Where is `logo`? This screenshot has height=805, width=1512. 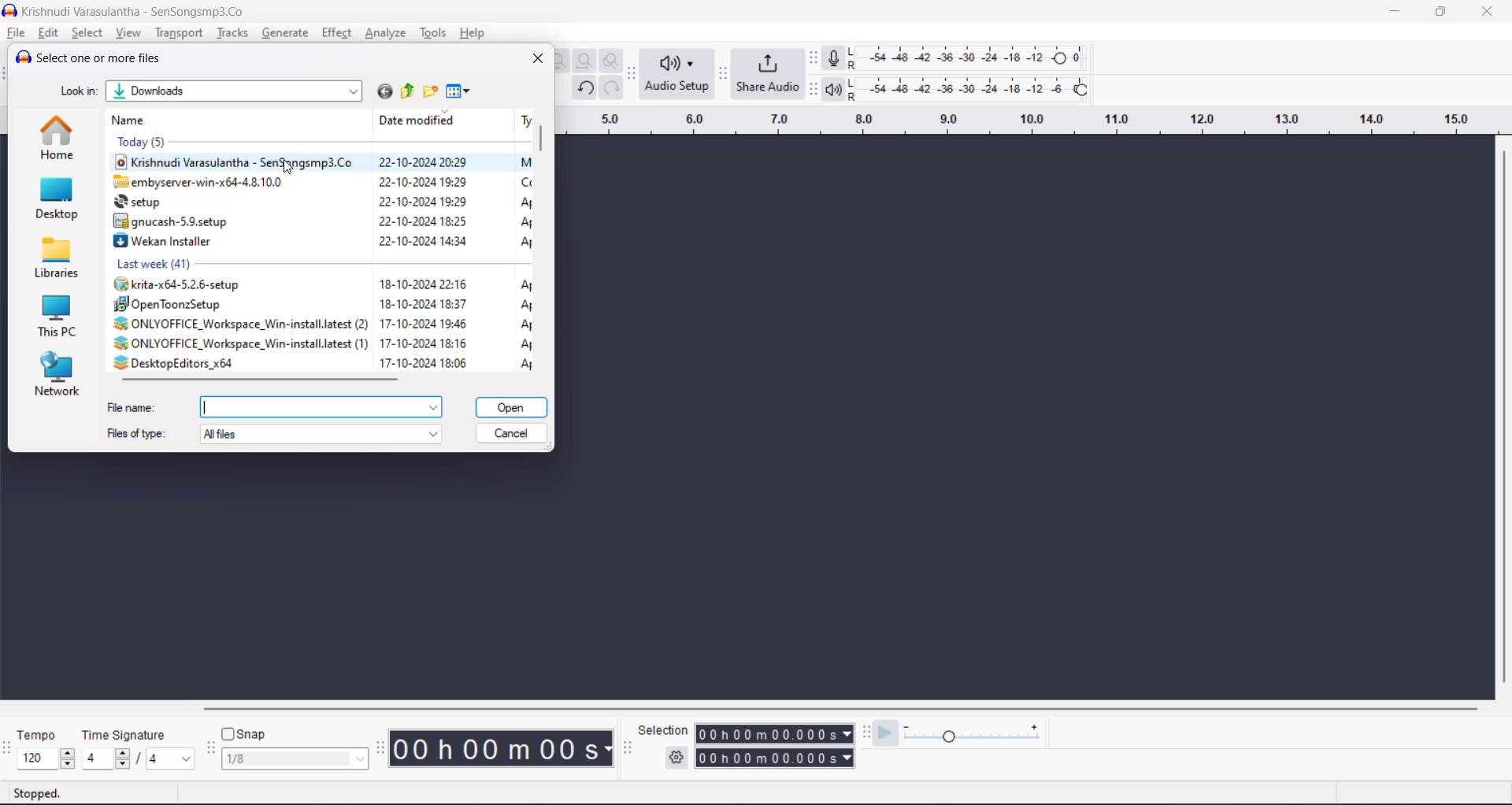
logo is located at coordinates (9, 12).